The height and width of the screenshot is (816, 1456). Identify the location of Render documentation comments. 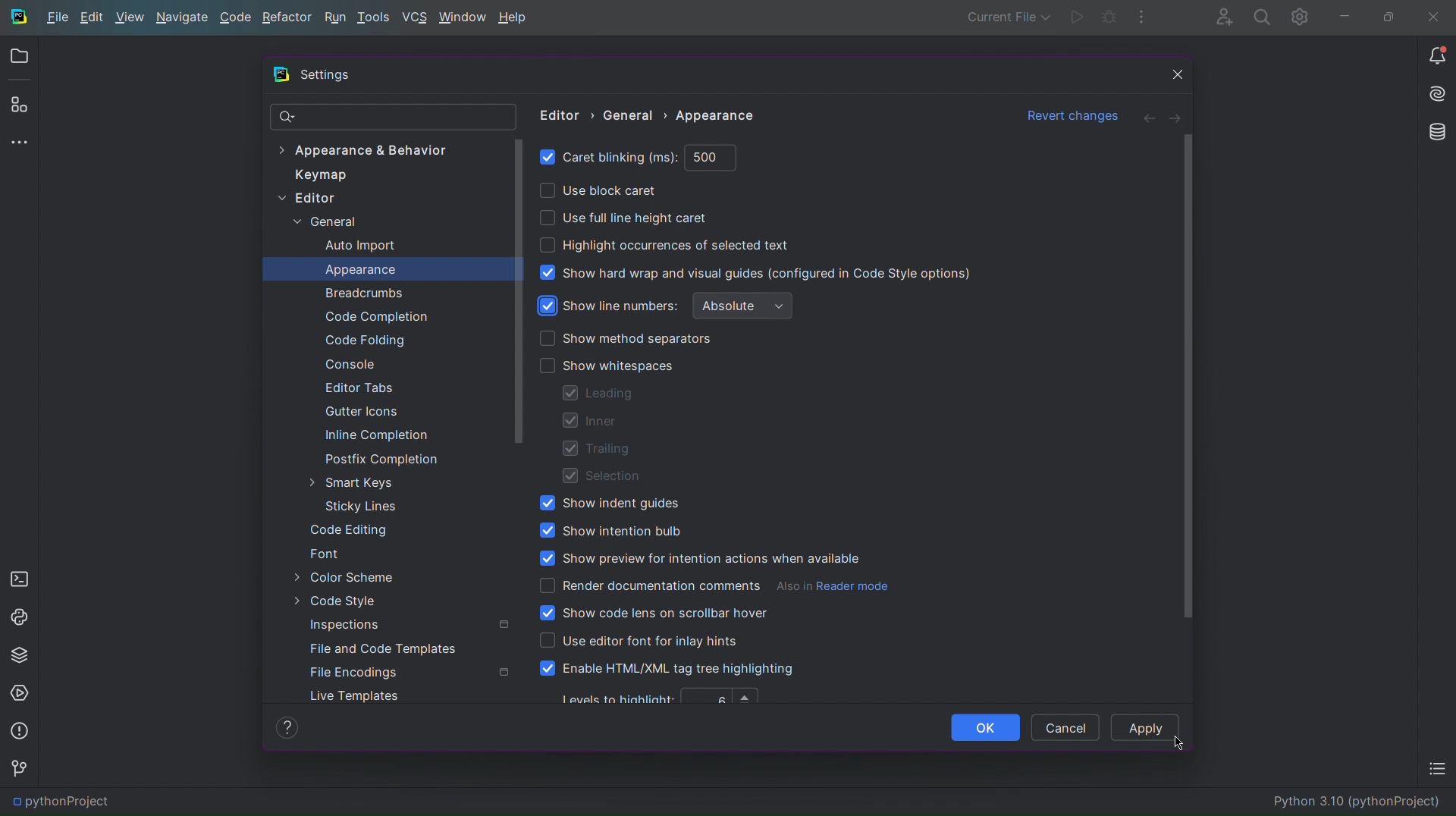
(714, 586).